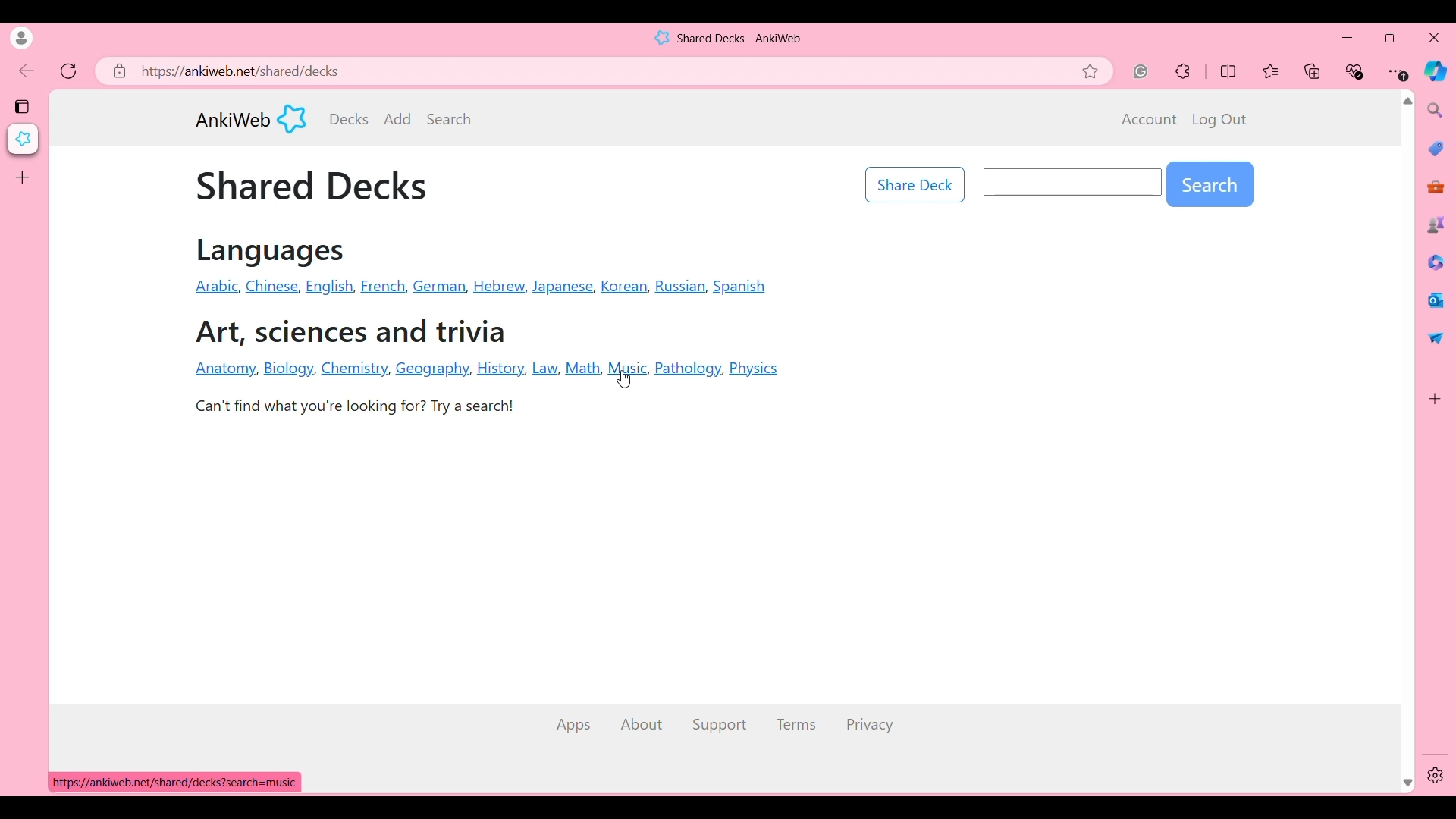 This screenshot has width=1456, height=819. Describe the element at coordinates (69, 71) in the screenshot. I see `Refresh page` at that location.